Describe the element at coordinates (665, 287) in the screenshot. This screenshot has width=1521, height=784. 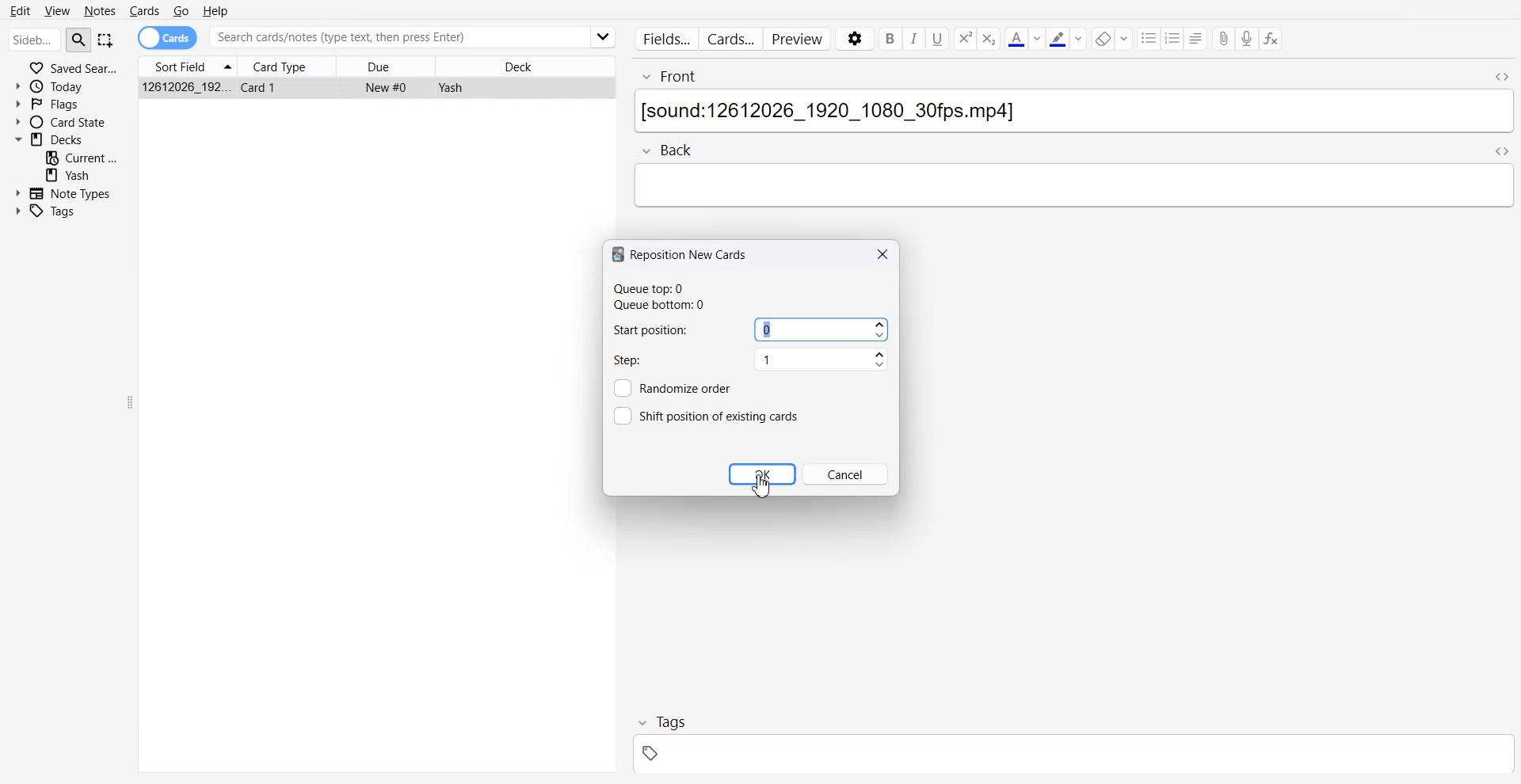
I see `Queue top: 0 ` at that location.